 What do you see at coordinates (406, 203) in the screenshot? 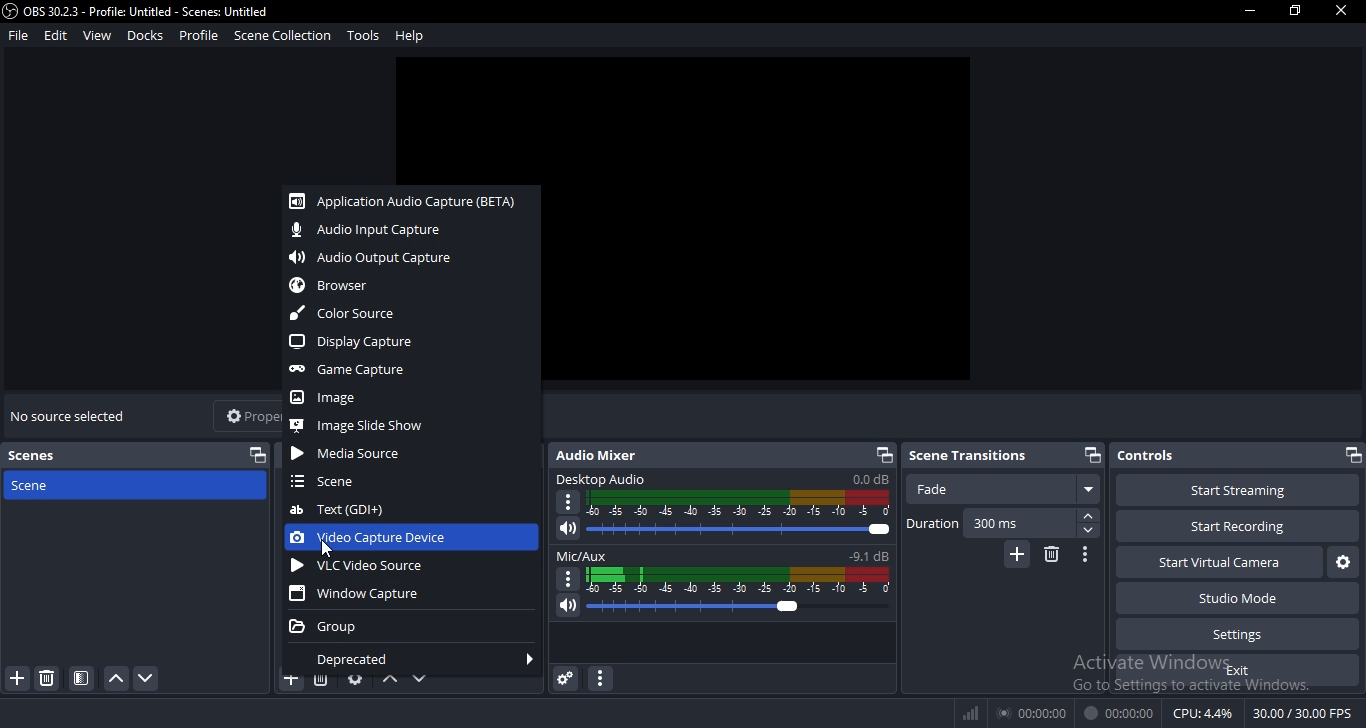
I see `appication audio capture (BETA)` at bounding box center [406, 203].